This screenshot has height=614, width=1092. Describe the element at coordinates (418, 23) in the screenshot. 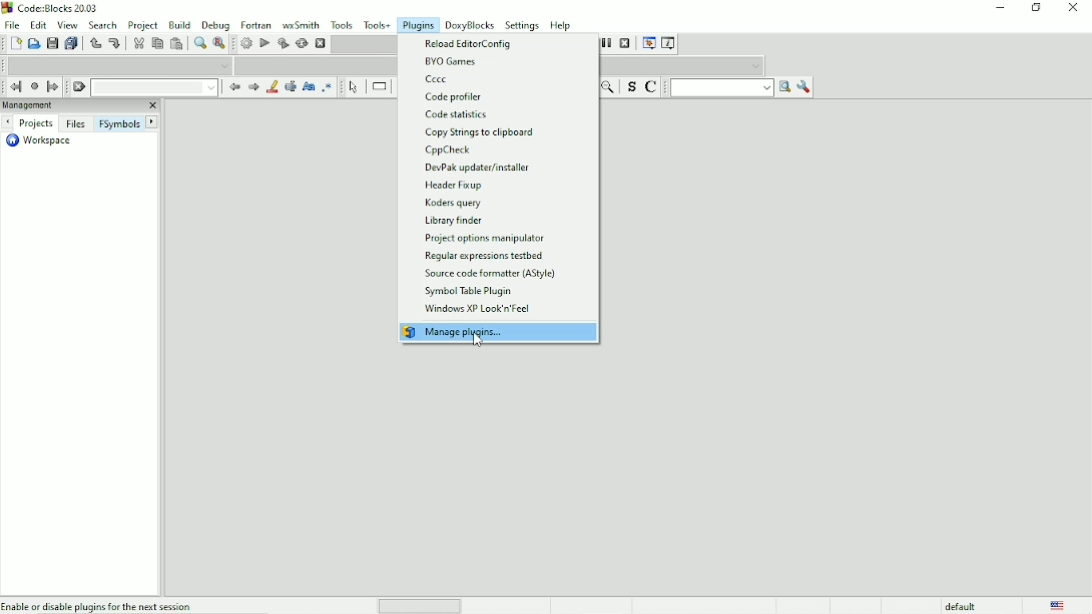

I see `Plugins` at that location.